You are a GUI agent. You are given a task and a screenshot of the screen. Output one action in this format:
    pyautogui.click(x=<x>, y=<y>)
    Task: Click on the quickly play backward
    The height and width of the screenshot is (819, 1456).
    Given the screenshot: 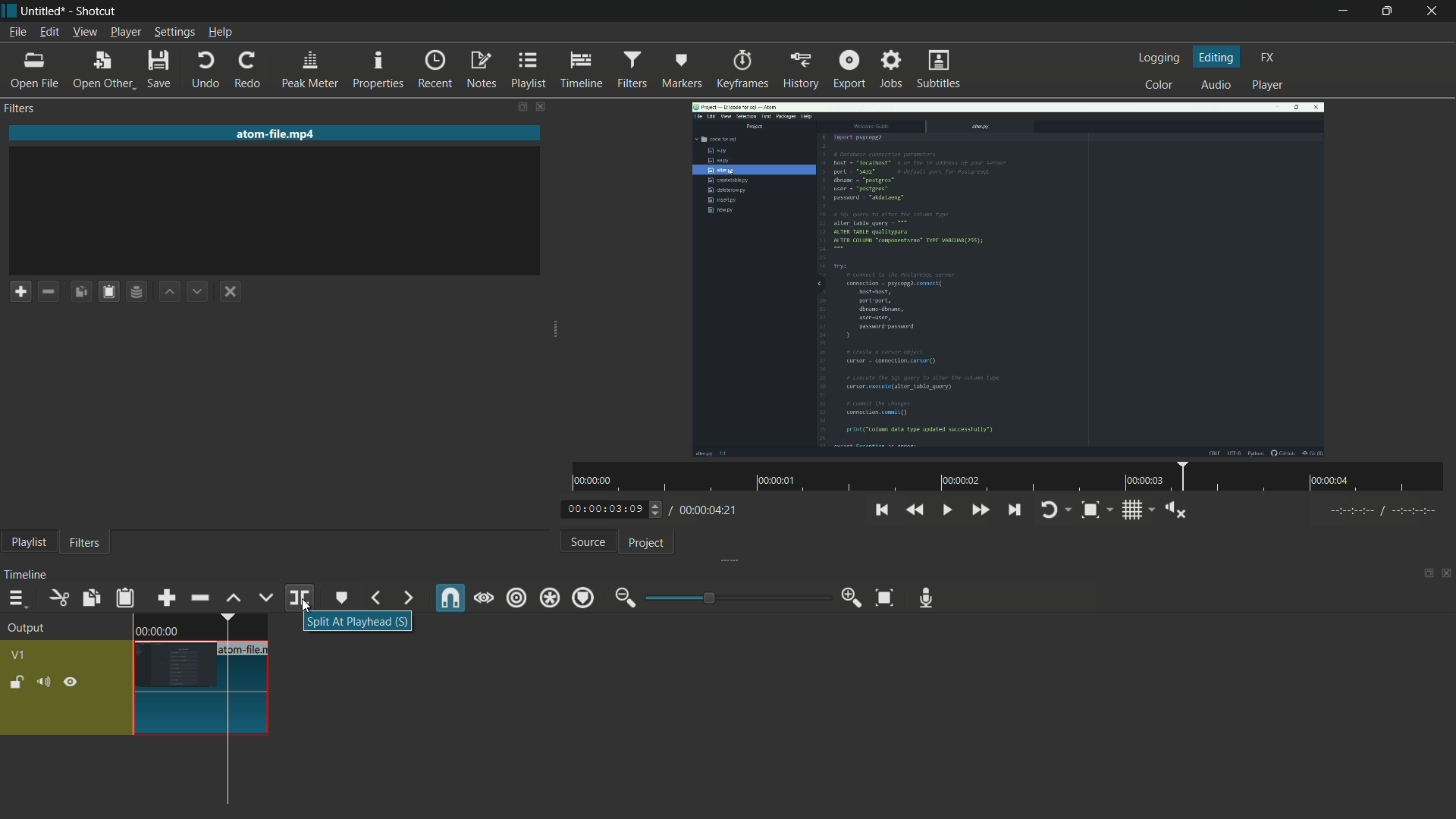 What is the action you would take?
    pyautogui.click(x=916, y=511)
    